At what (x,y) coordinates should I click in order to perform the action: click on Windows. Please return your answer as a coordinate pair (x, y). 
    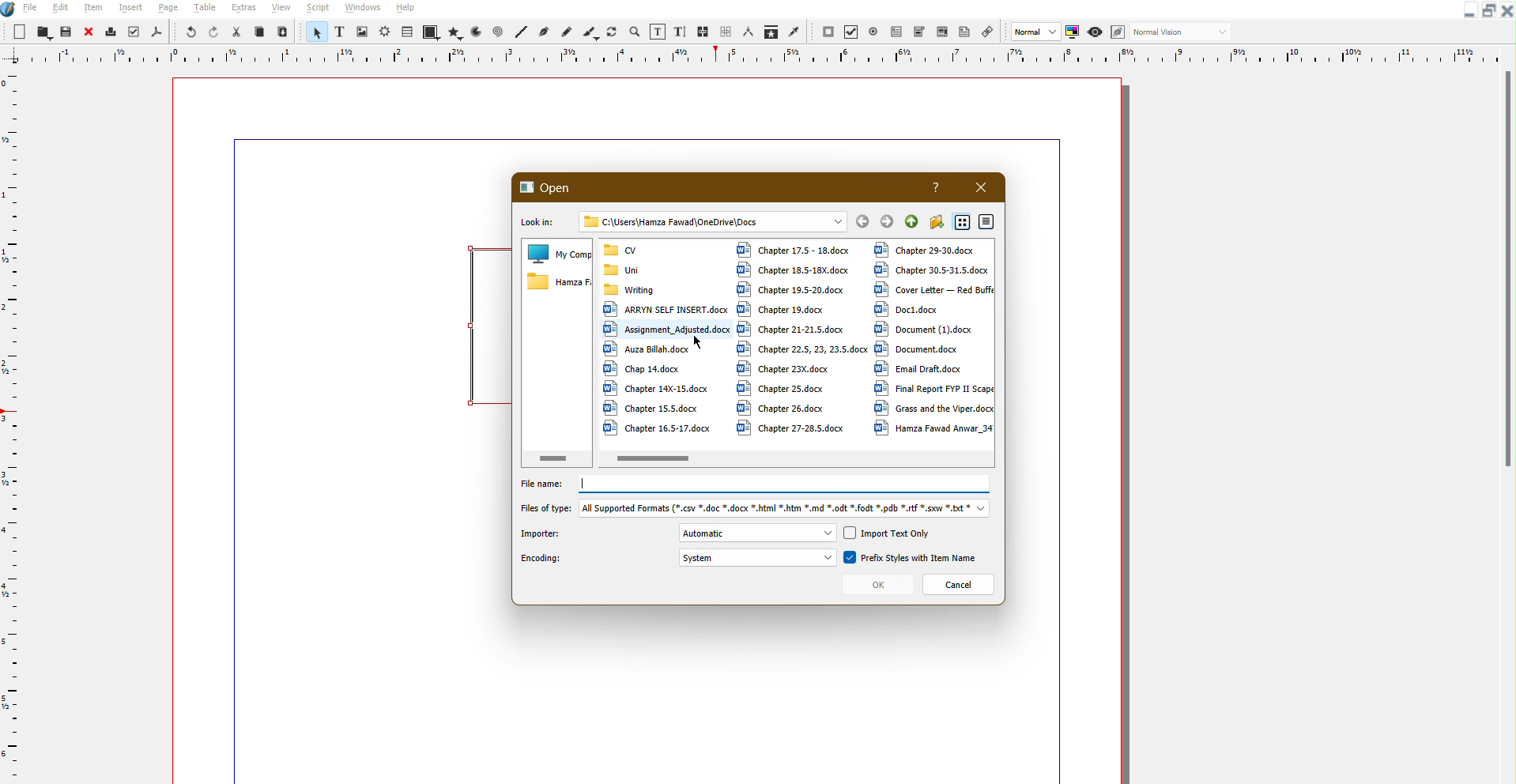
    Looking at the image, I should click on (363, 9).